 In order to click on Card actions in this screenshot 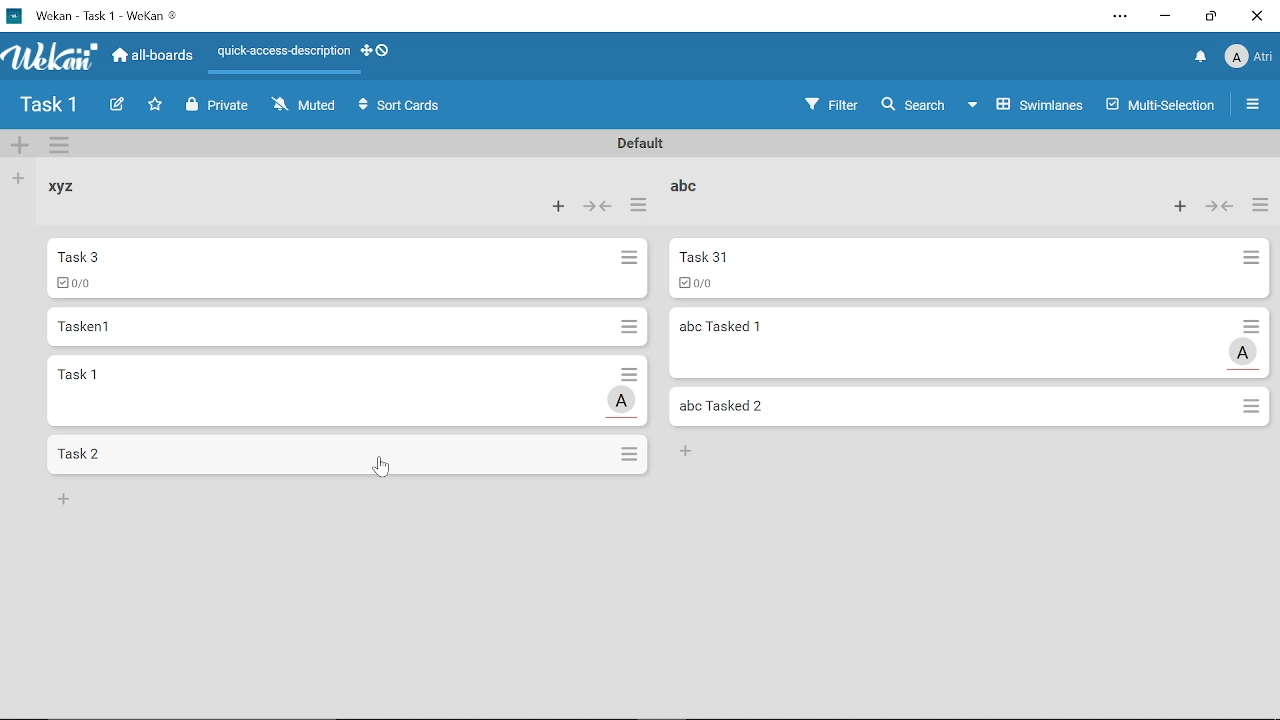, I will do `click(631, 261)`.